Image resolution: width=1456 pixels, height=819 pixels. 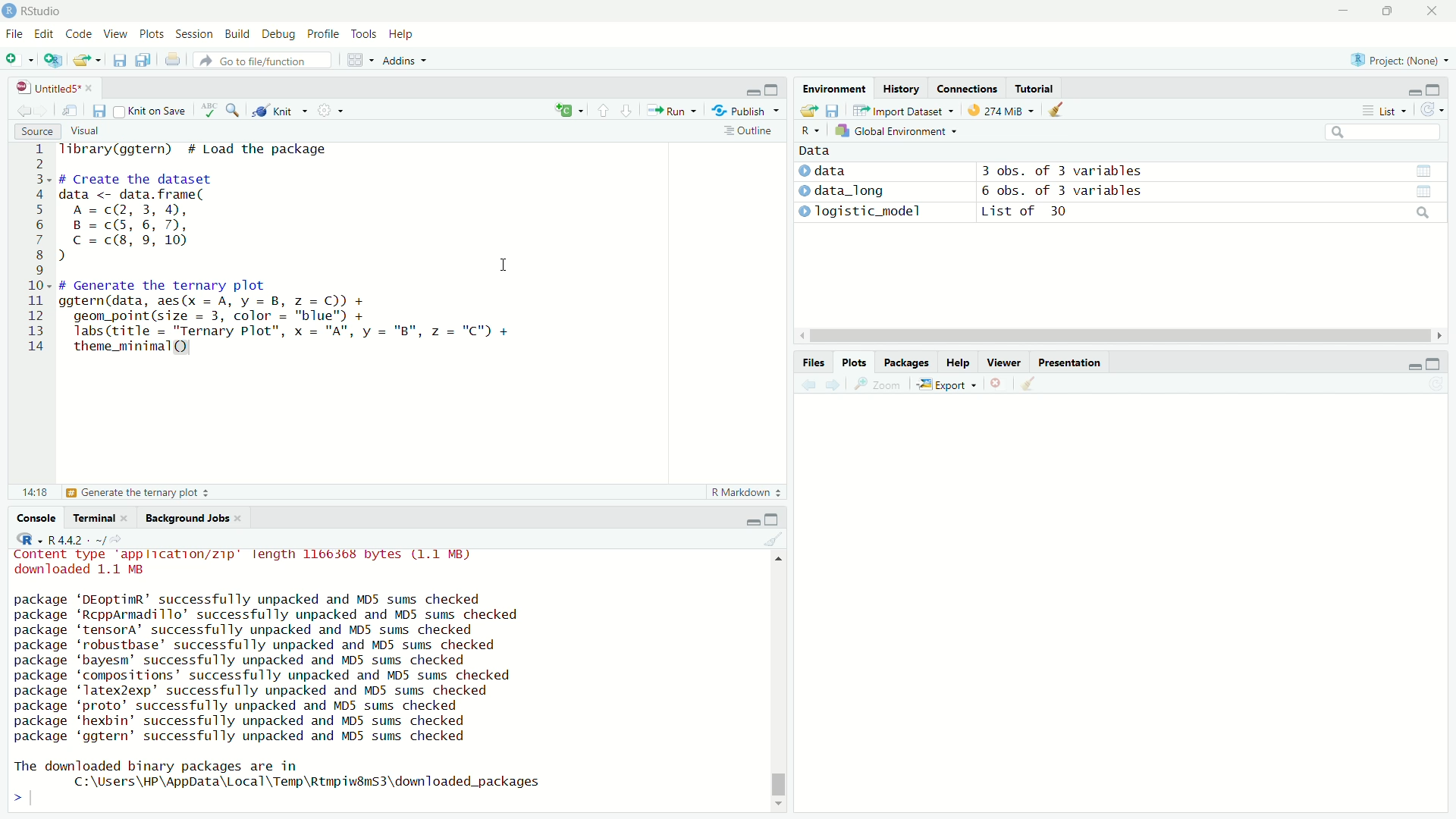 I want to click on minimise, so click(x=1343, y=11).